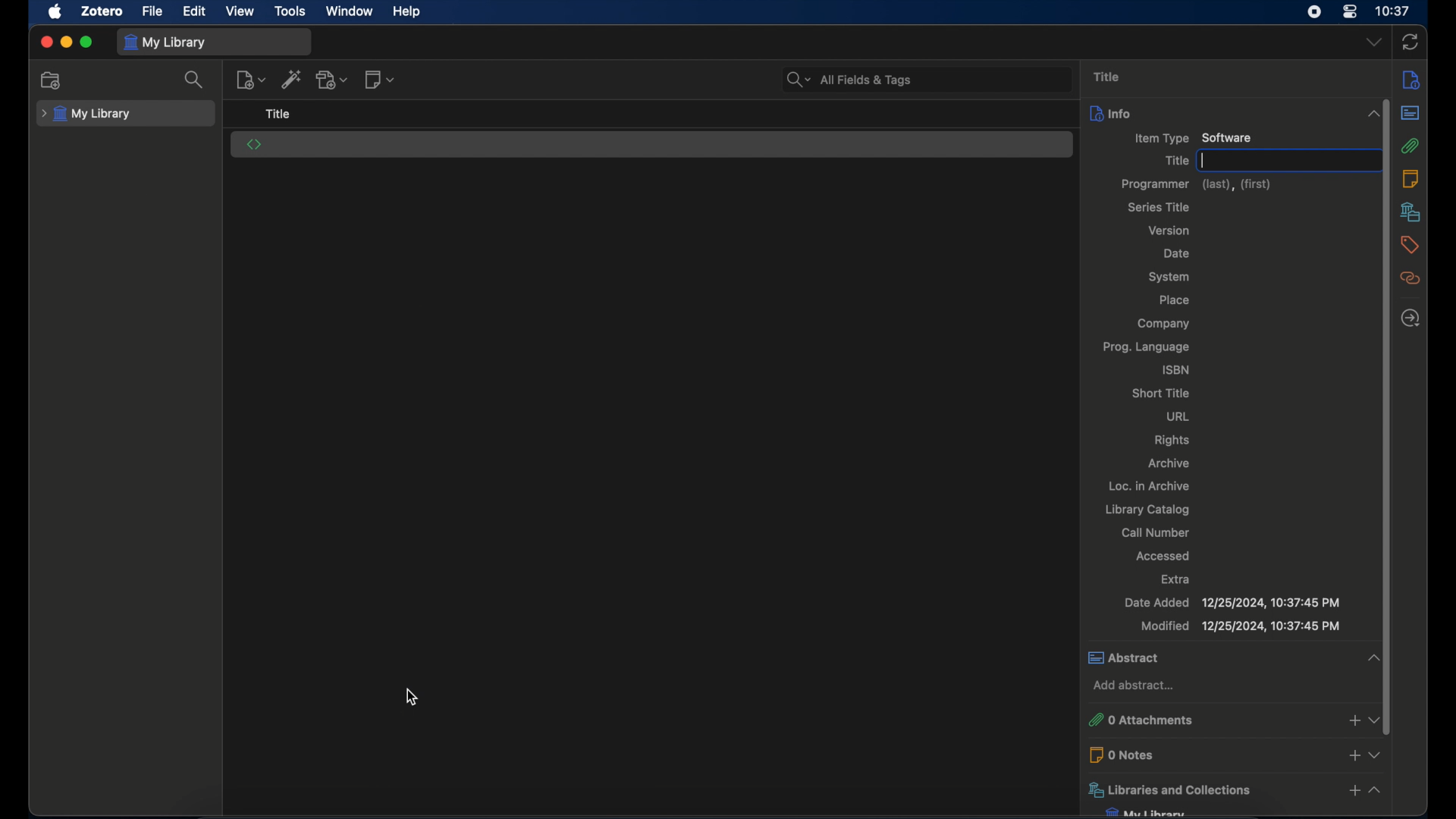  I want to click on zotero, so click(104, 11).